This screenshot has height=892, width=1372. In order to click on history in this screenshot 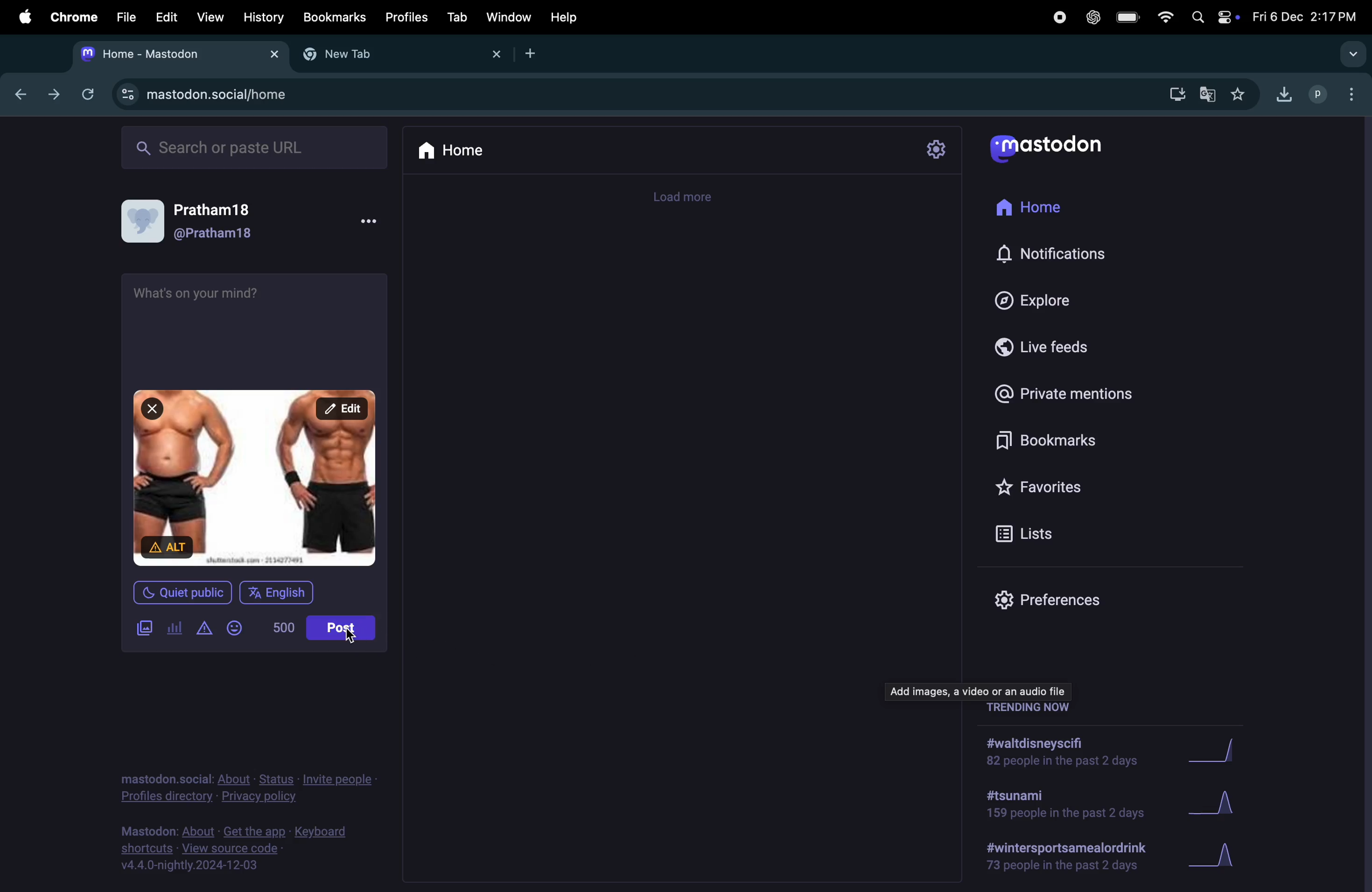, I will do `click(262, 17)`.